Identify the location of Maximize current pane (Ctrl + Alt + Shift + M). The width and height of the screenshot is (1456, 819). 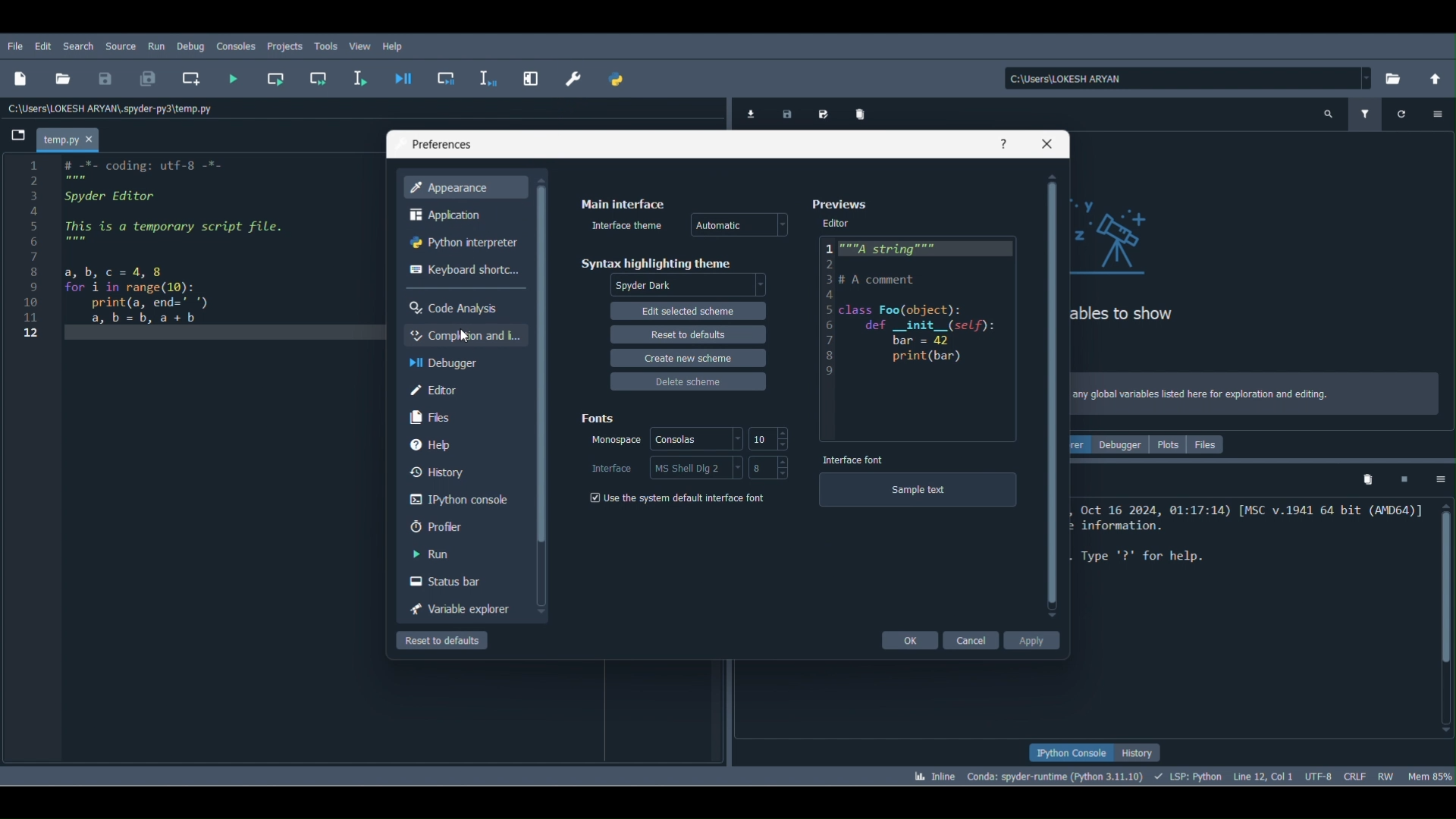
(536, 80).